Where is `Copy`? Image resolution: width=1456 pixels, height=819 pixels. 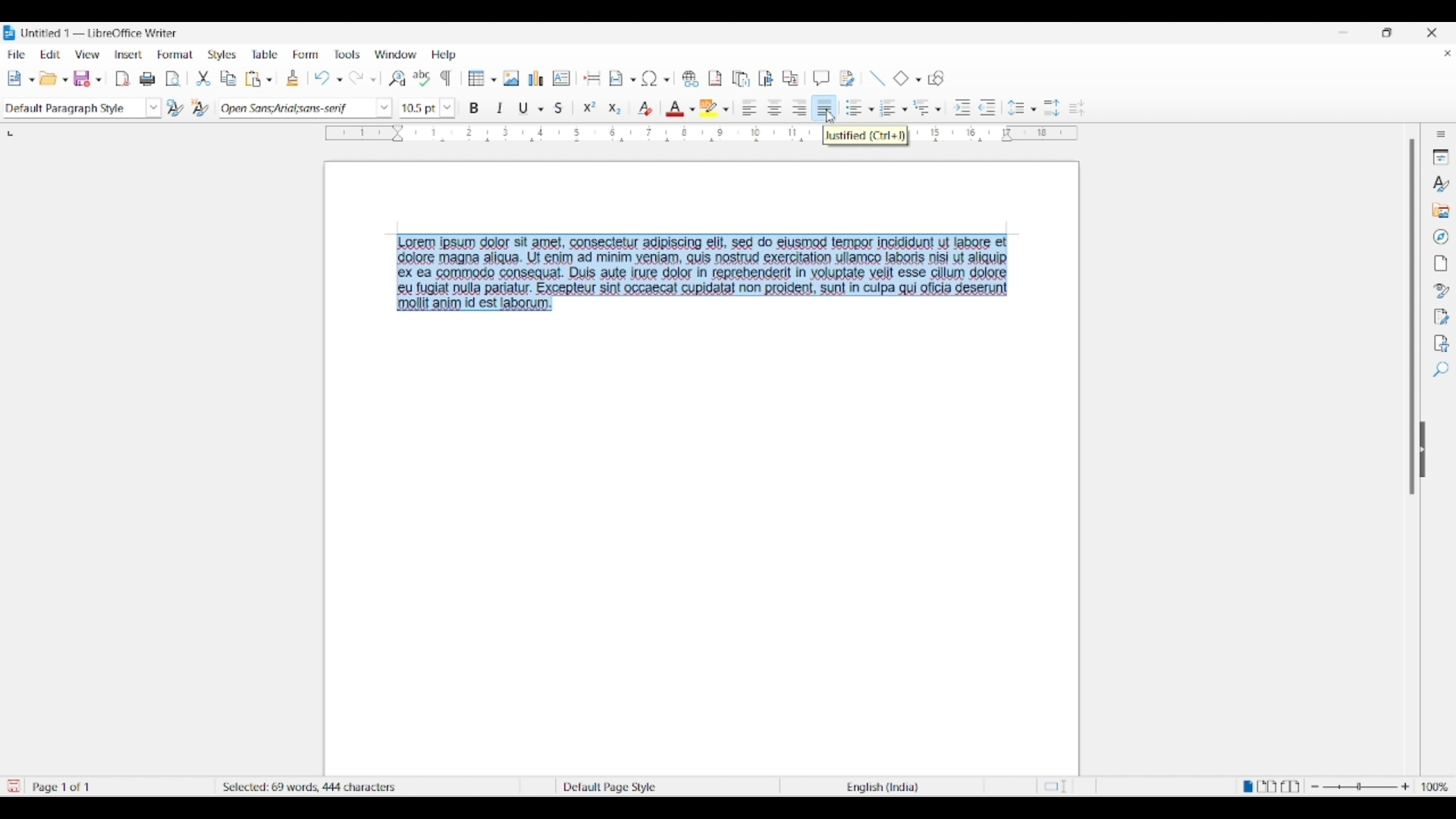 Copy is located at coordinates (228, 78).